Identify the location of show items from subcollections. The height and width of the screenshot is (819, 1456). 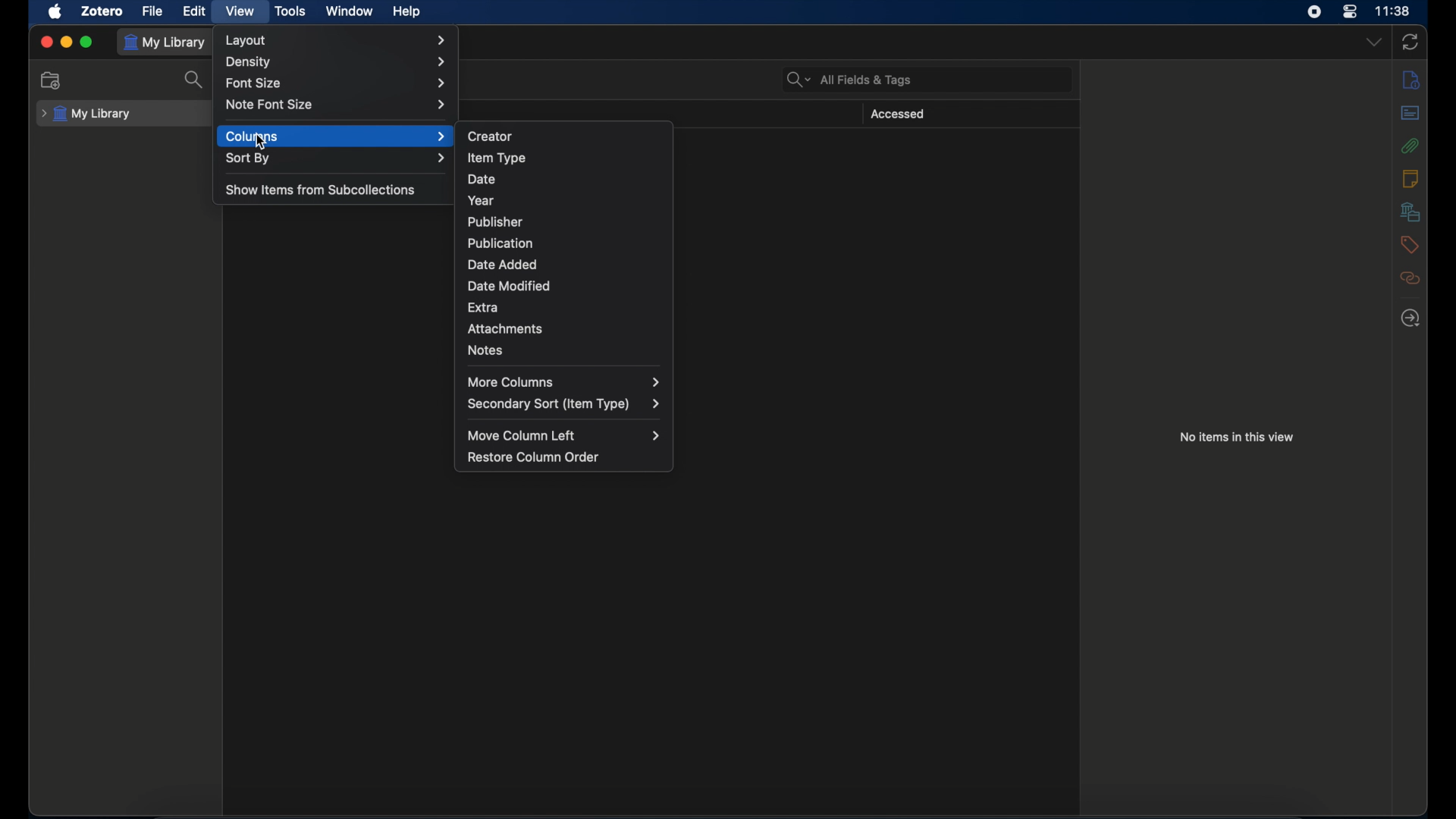
(320, 190).